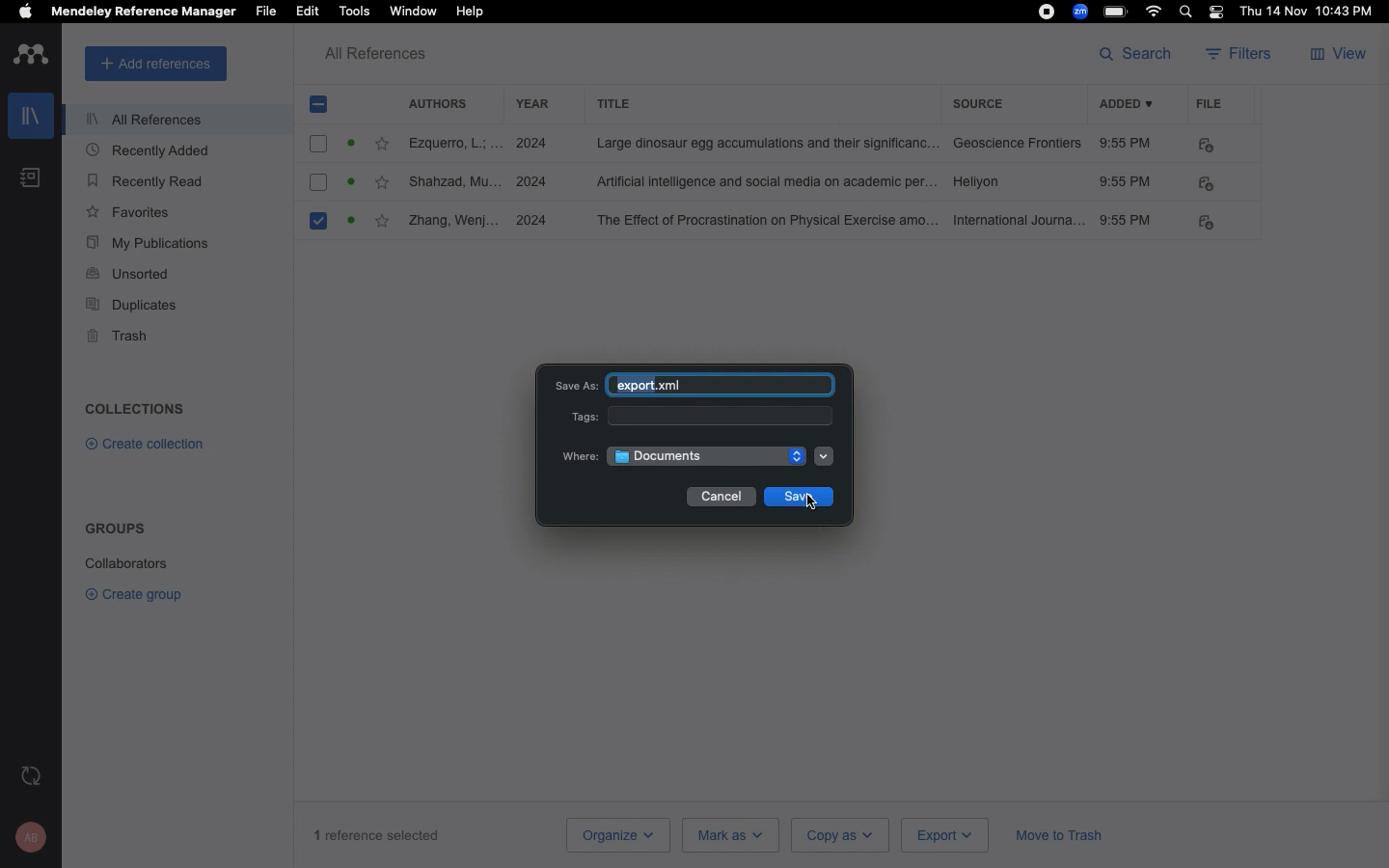 The height and width of the screenshot is (868, 1389). What do you see at coordinates (135, 411) in the screenshot?
I see `Collections` at bounding box center [135, 411].